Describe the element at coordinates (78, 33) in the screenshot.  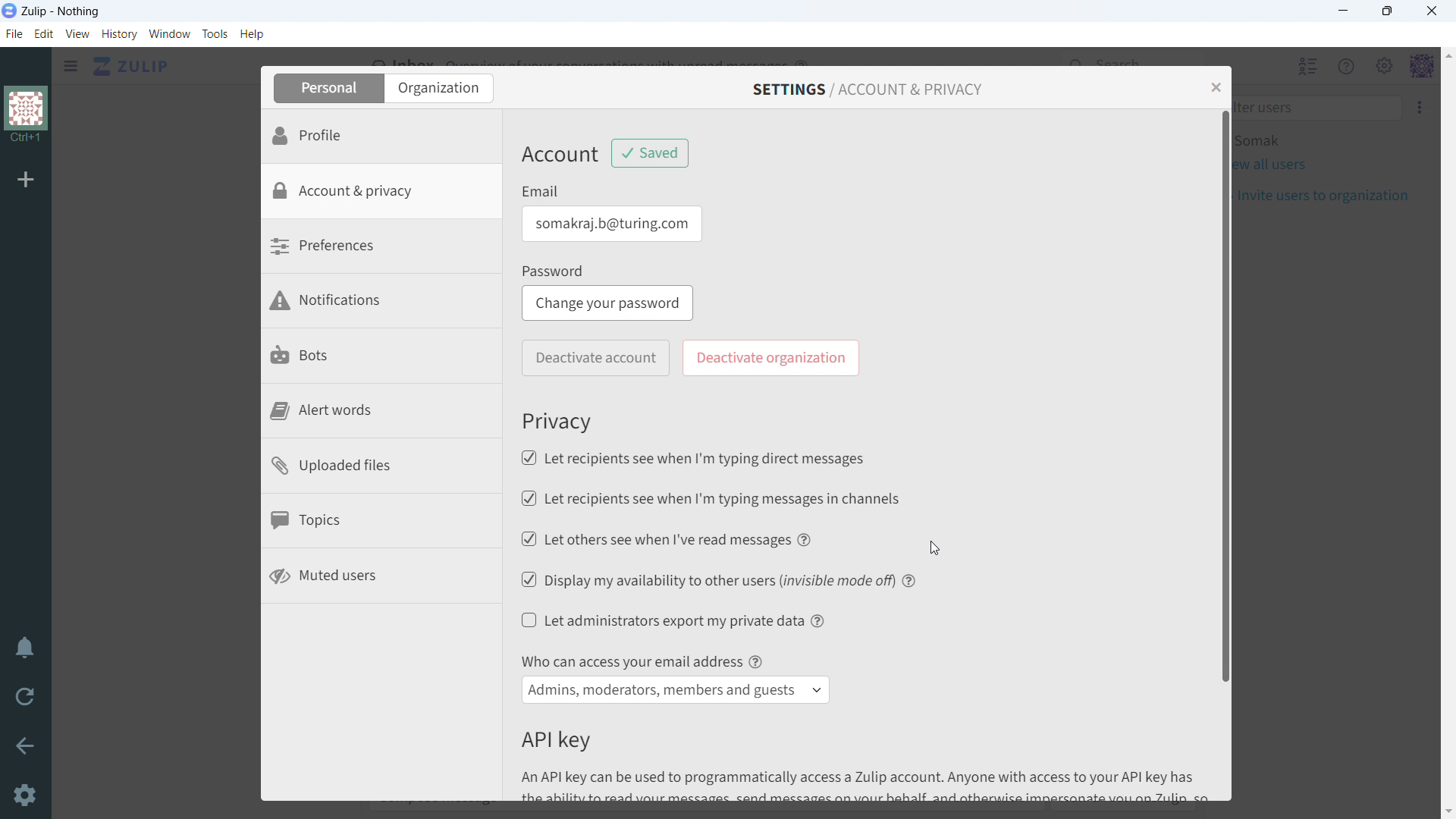
I see `view` at that location.